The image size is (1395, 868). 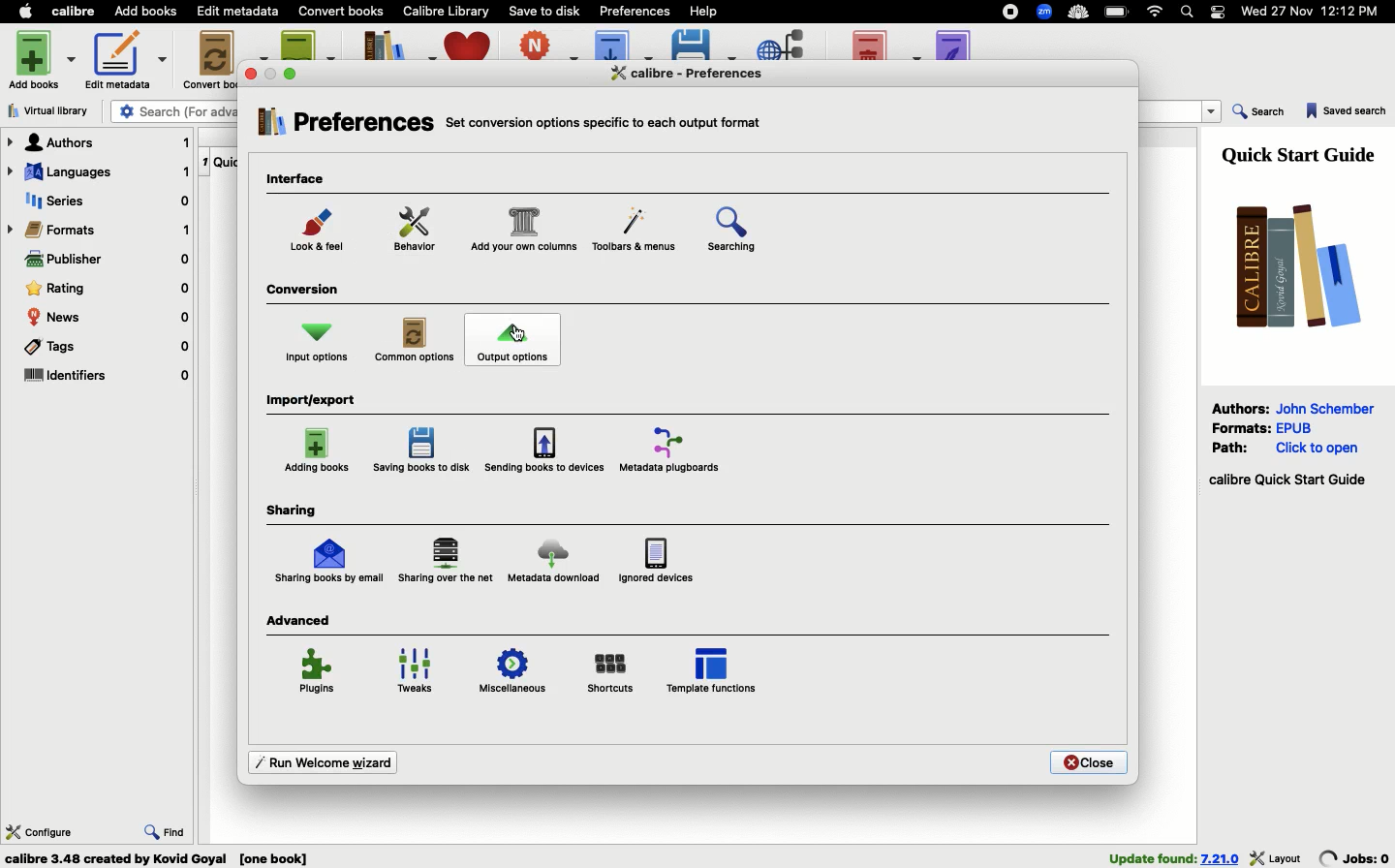 I want to click on Tags, so click(x=105, y=350).